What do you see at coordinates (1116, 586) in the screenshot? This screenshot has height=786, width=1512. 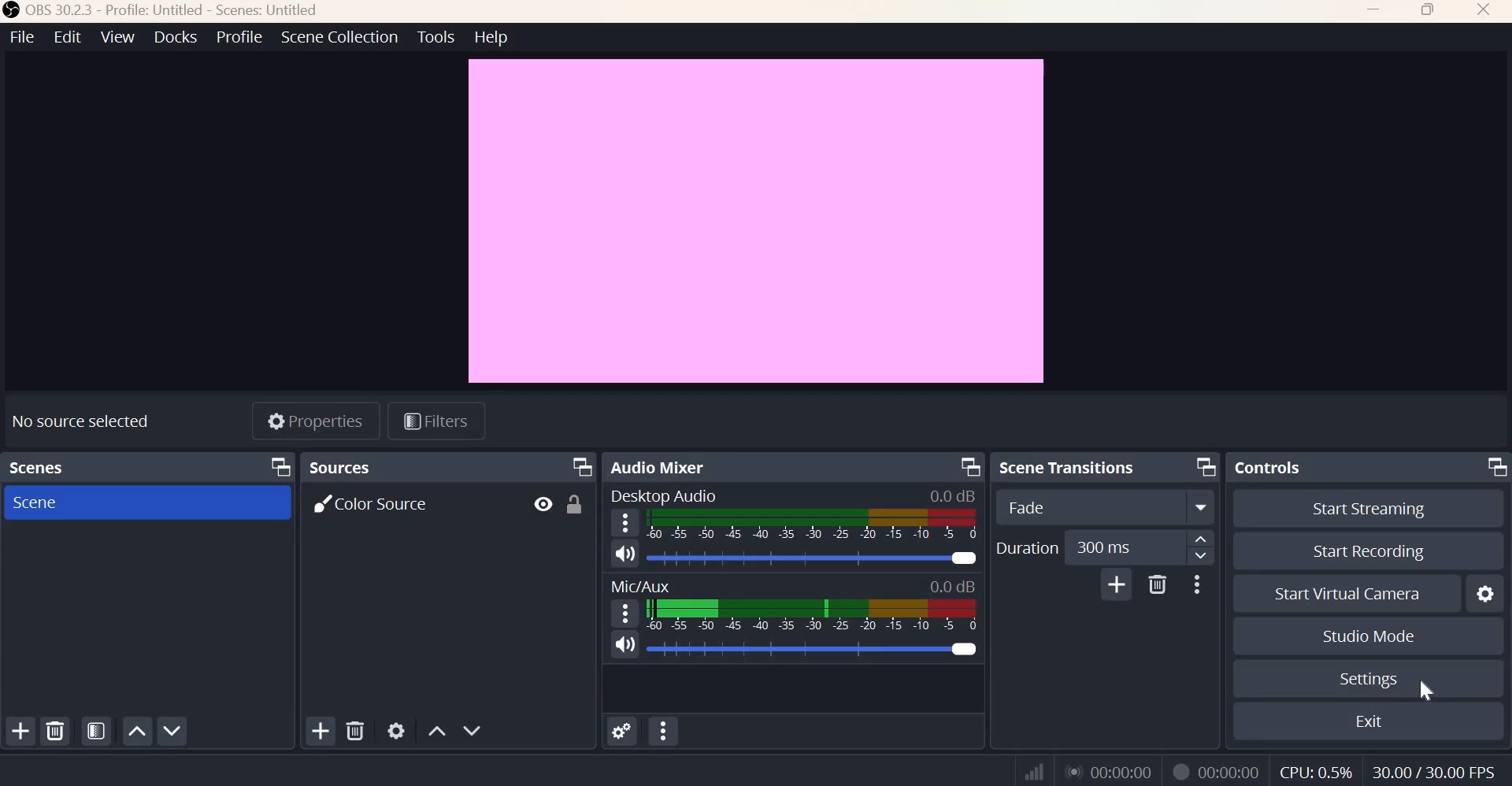 I see `Add Transition` at bounding box center [1116, 586].